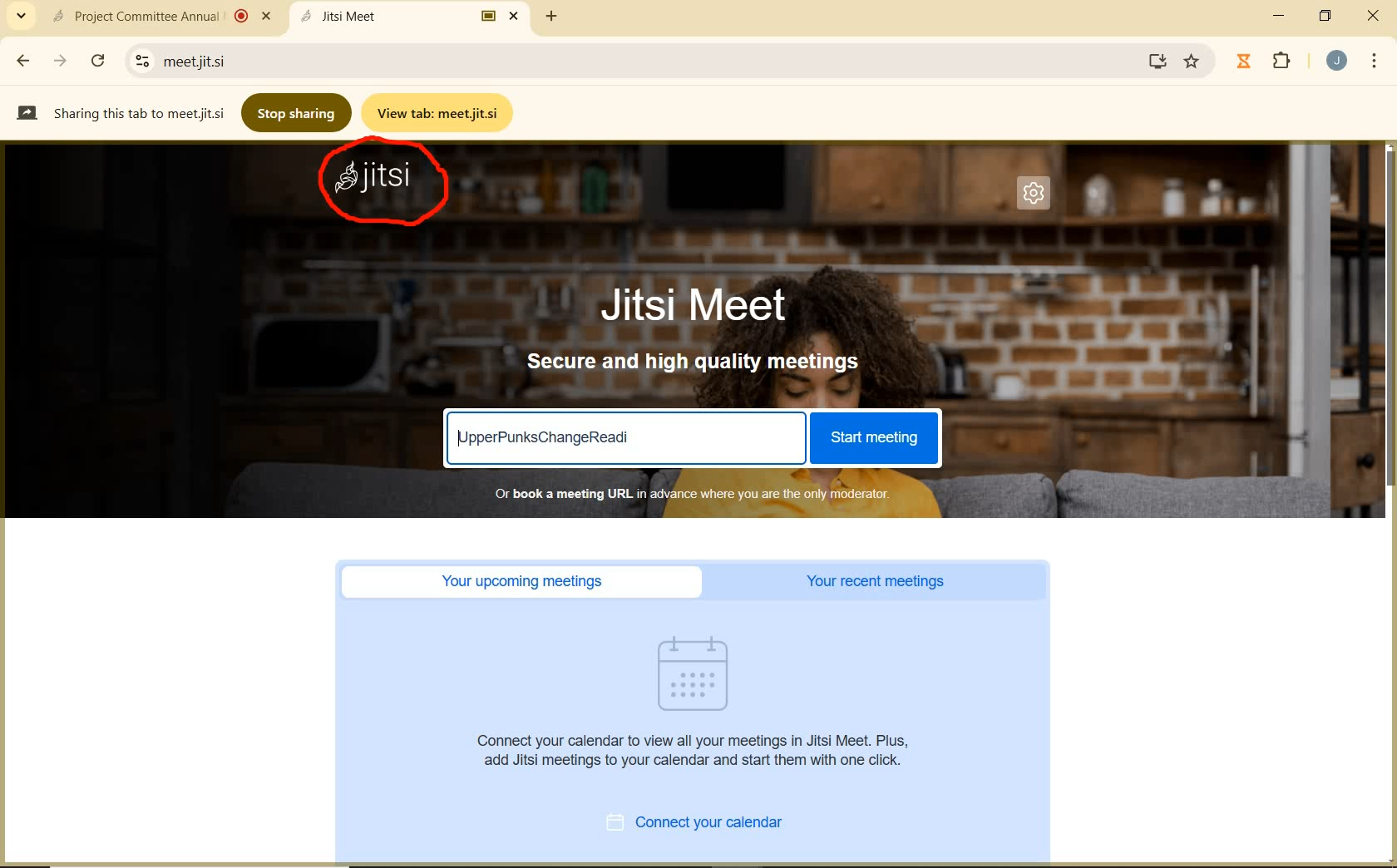  What do you see at coordinates (713, 825) in the screenshot?
I see `CONNECT YOUR CALENDER` at bounding box center [713, 825].